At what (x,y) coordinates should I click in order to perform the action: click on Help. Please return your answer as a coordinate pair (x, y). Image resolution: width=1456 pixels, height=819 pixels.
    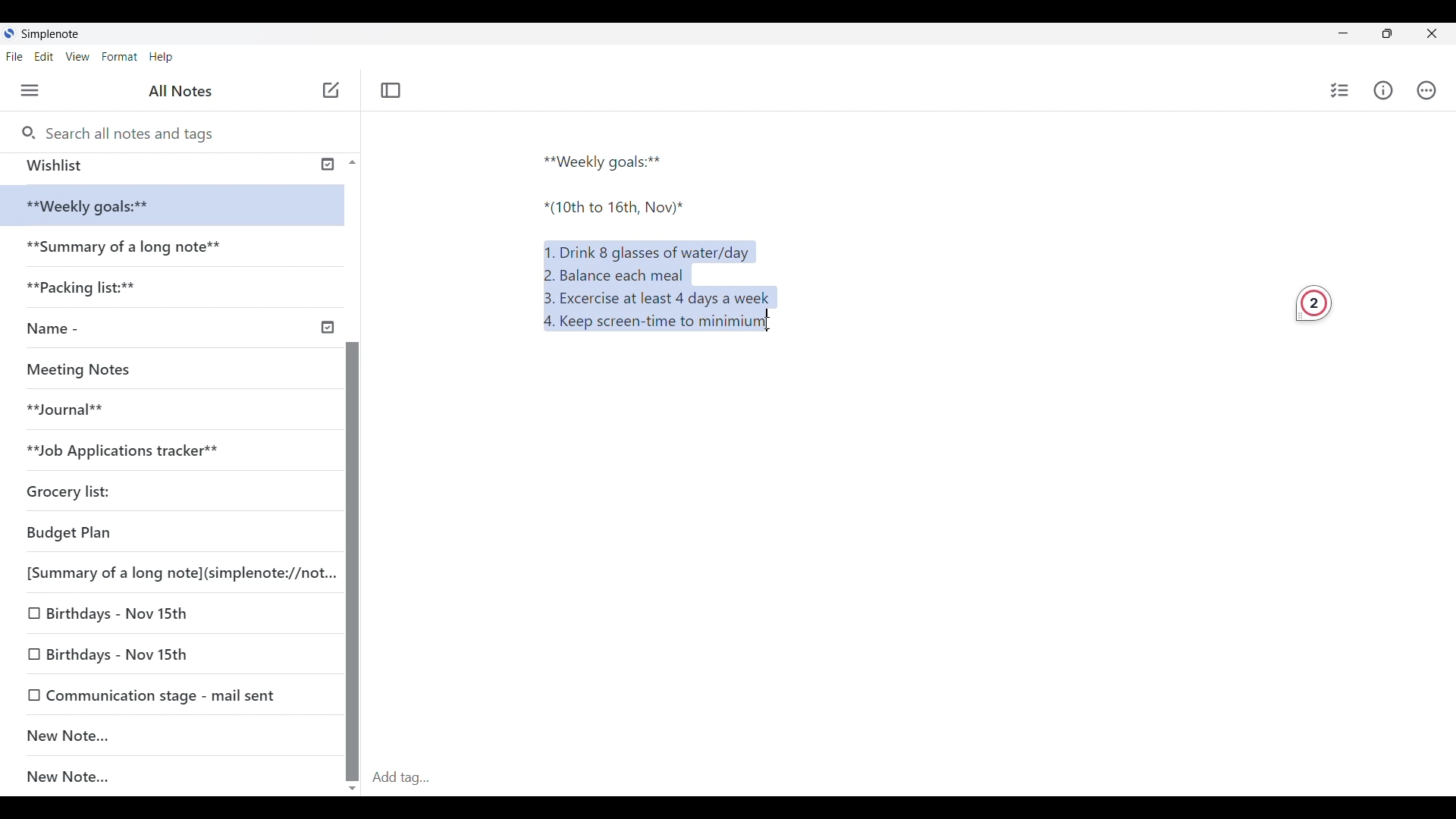
    Looking at the image, I should click on (162, 58).